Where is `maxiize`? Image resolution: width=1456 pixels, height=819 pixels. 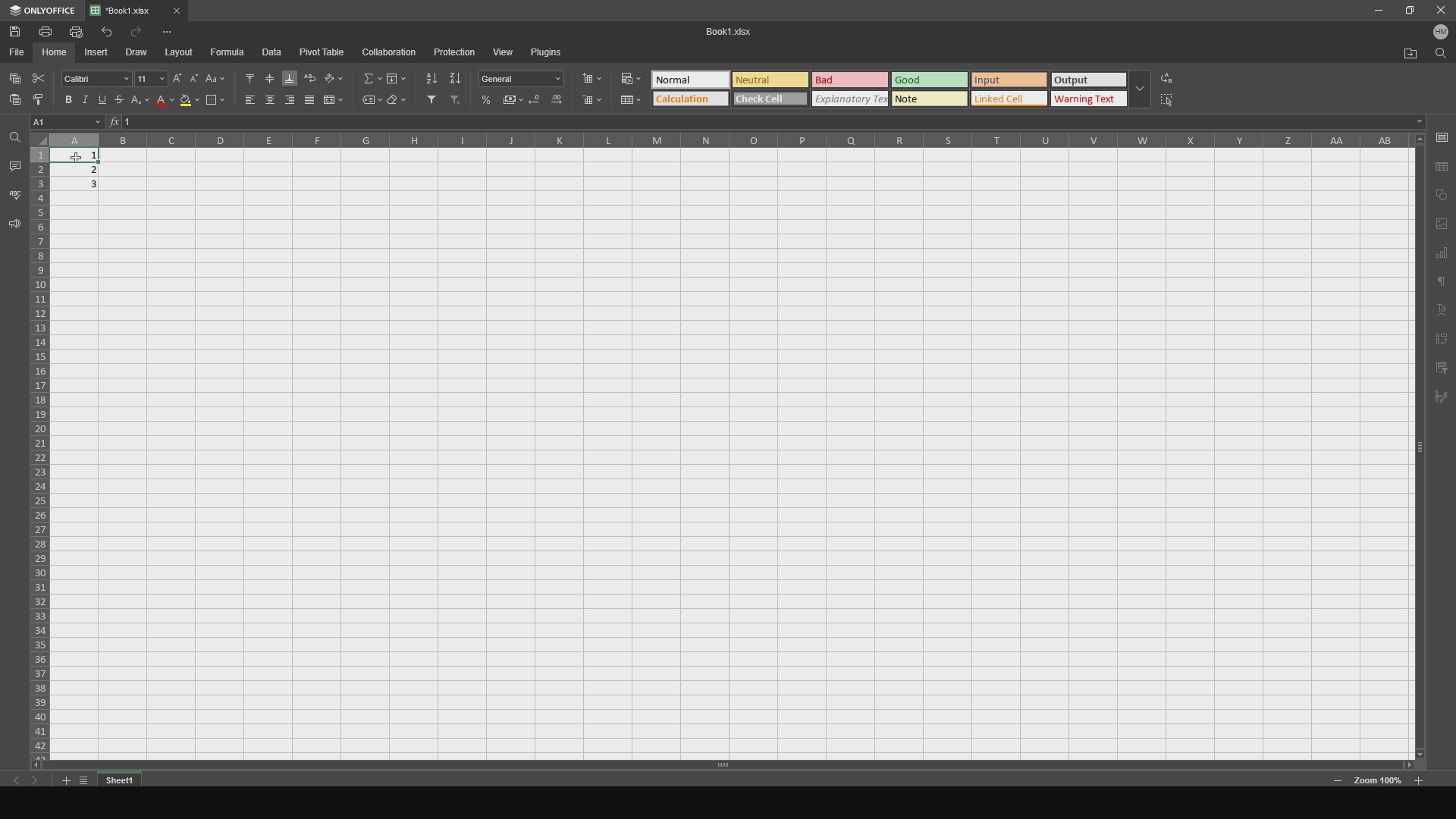 maxiize is located at coordinates (1407, 12).